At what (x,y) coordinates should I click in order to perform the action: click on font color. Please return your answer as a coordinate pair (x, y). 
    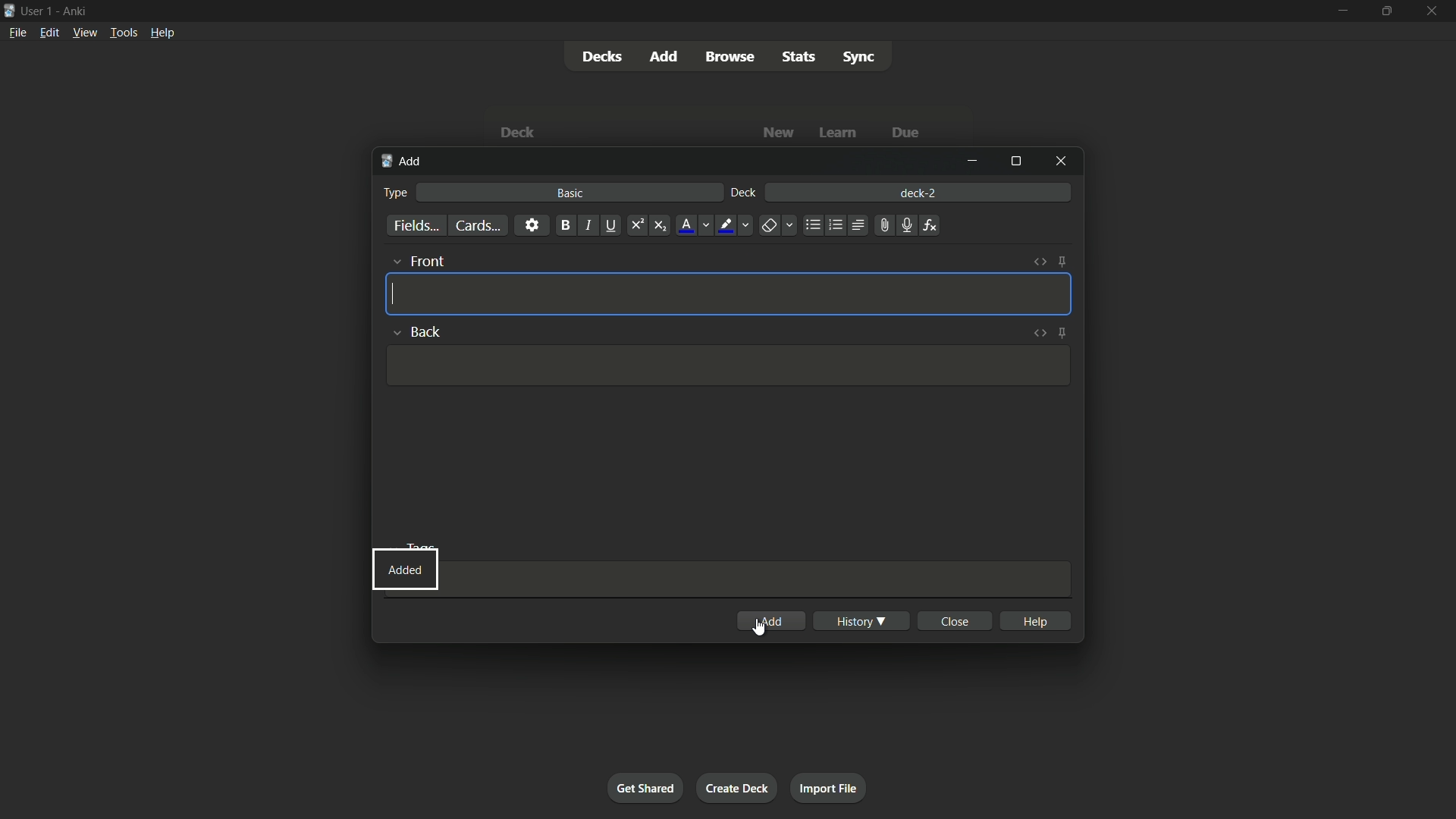
    Looking at the image, I should click on (692, 225).